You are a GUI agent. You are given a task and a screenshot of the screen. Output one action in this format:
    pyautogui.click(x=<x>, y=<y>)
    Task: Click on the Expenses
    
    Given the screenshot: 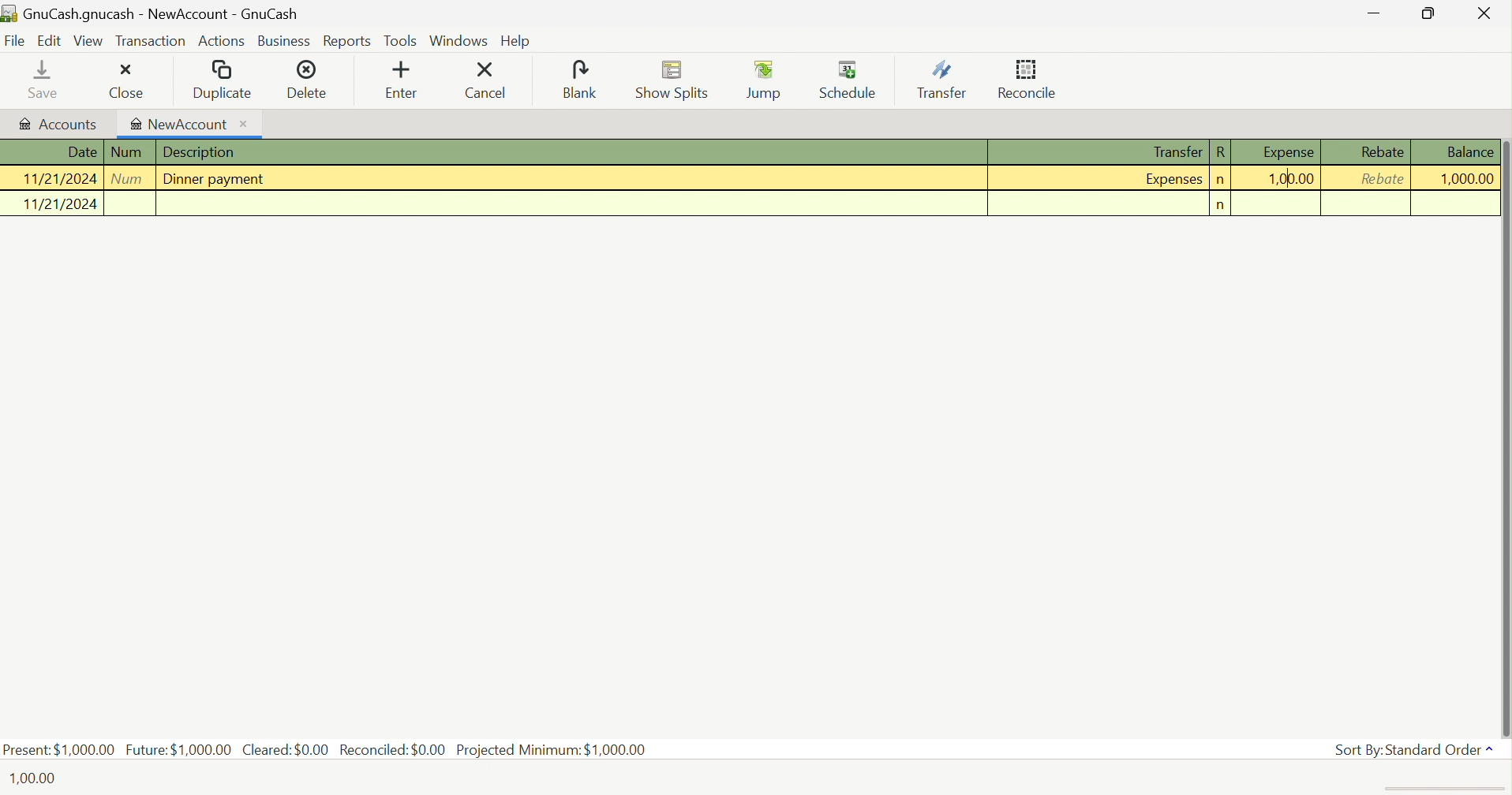 What is the action you would take?
    pyautogui.click(x=1174, y=178)
    